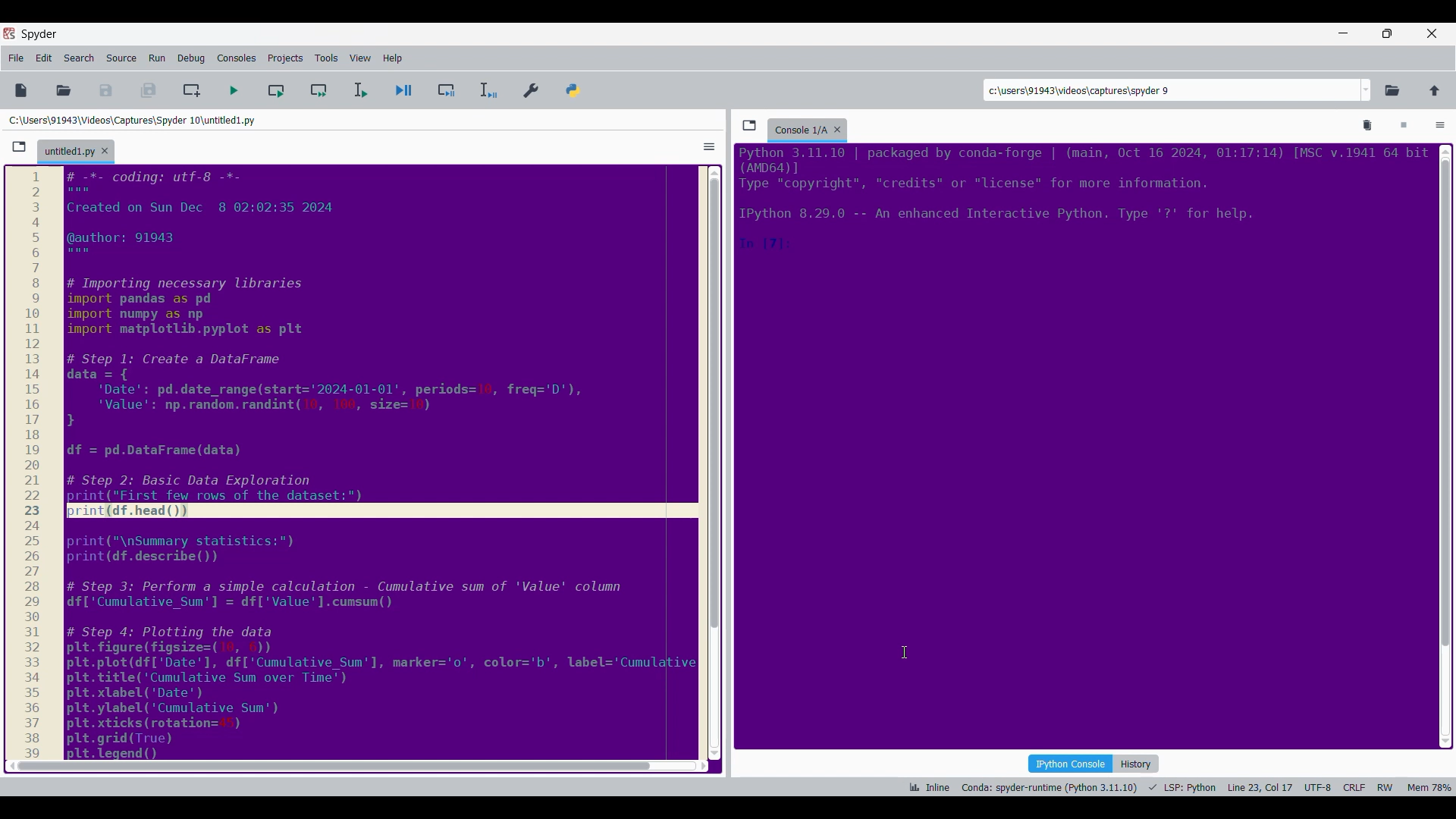  Describe the element at coordinates (906, 653) in the screenshot. I see `cursor` at that location.